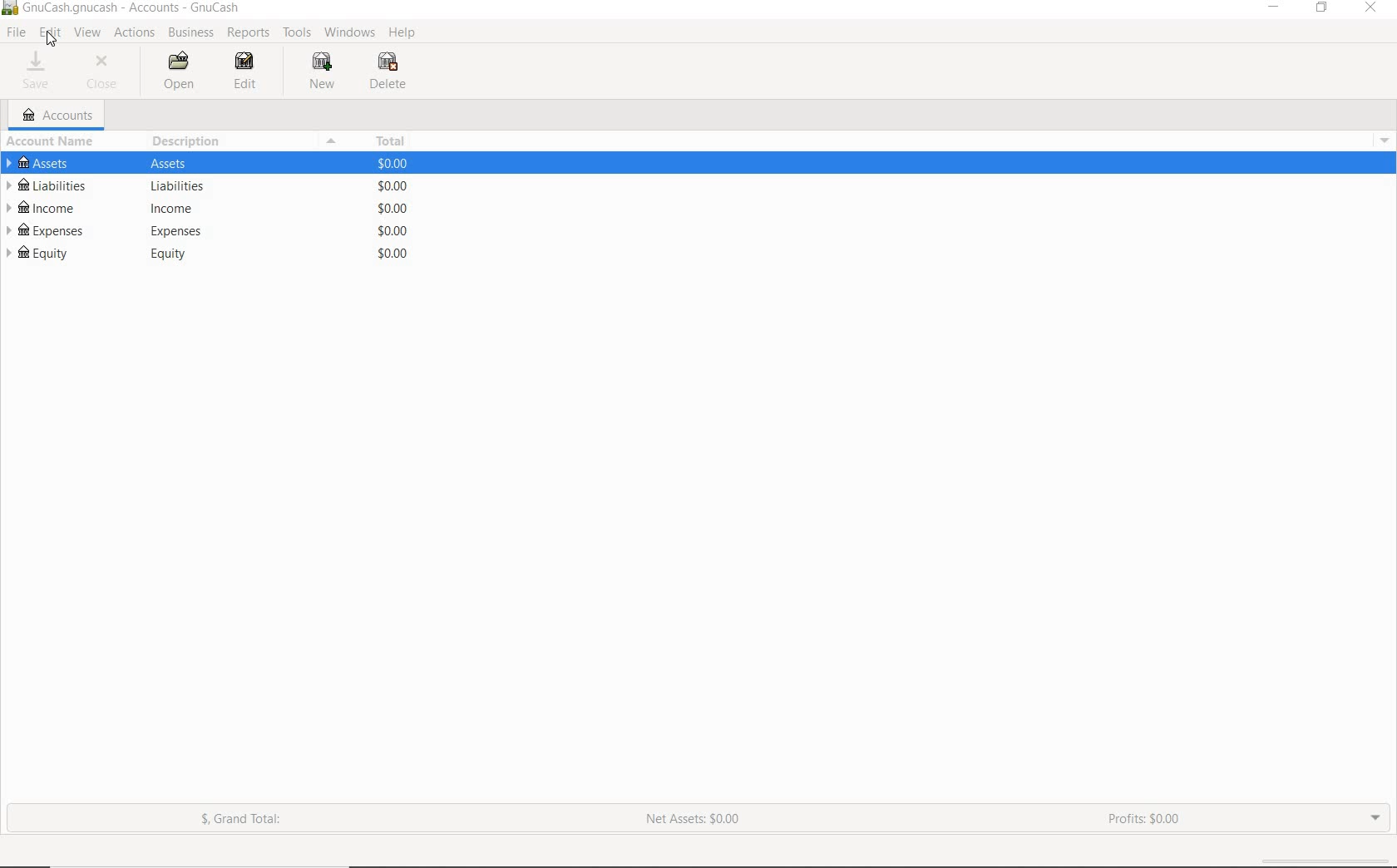 The image size is (1397, 868). Describe the element at coordinates (1327, 11) in the screenshot. I see `RESTORE DOWN` at that location.